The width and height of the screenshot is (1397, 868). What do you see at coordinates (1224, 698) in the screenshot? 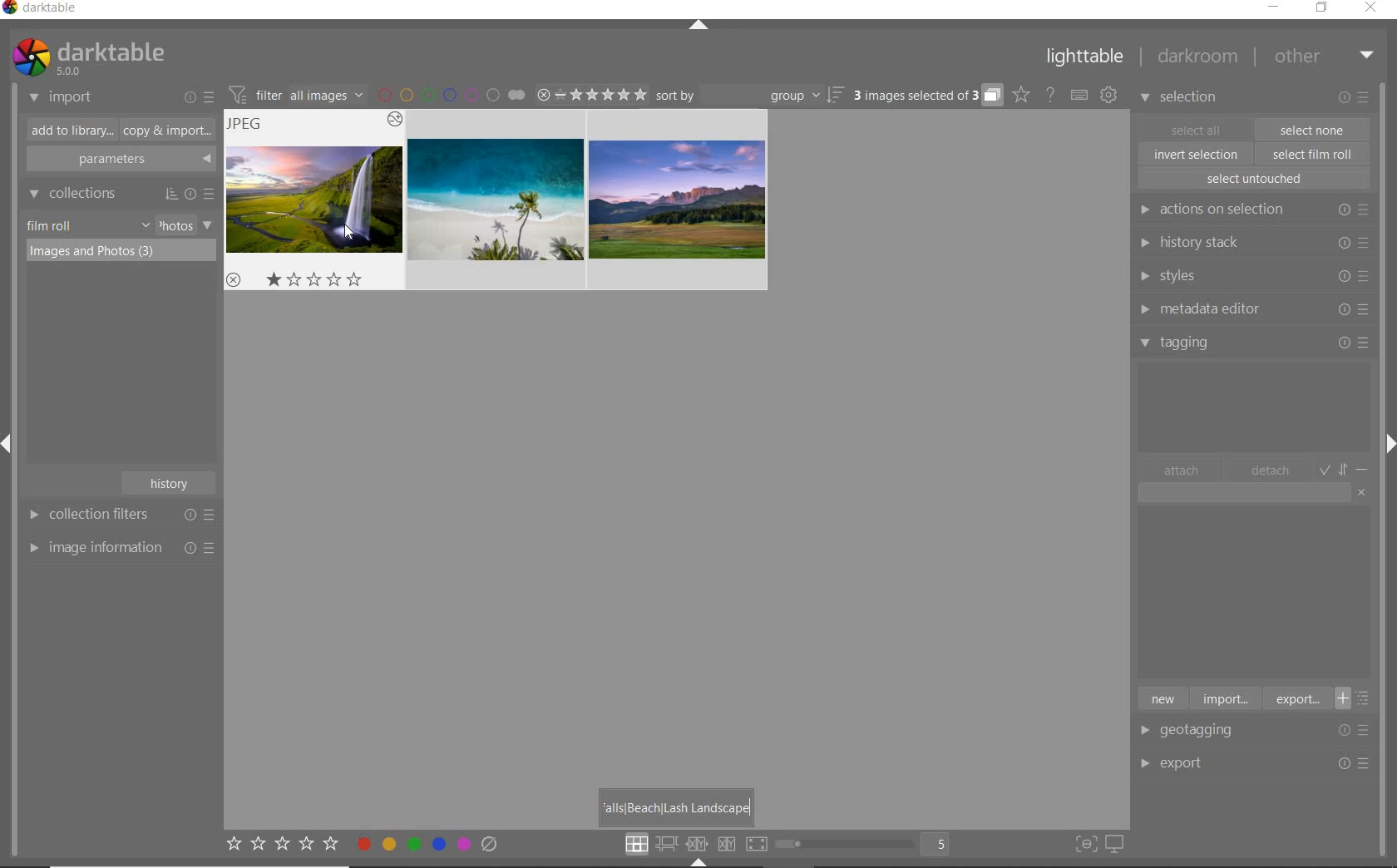
I see `import` at bounding box center [1224, 698].